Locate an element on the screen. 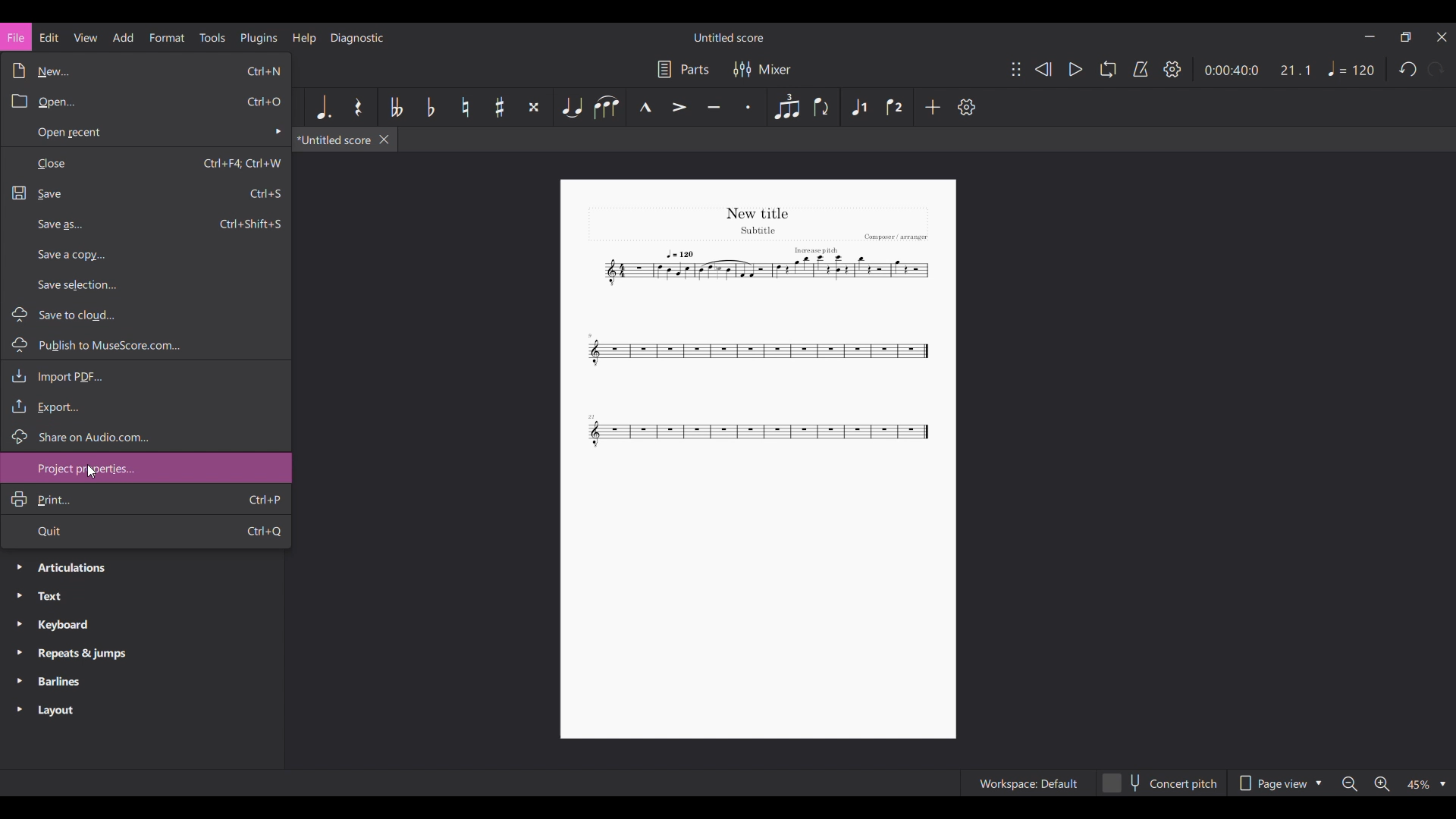 The height and width of the screenshot is (819, 1456). Share on Audio.com... is located at coordinates (146, 435).